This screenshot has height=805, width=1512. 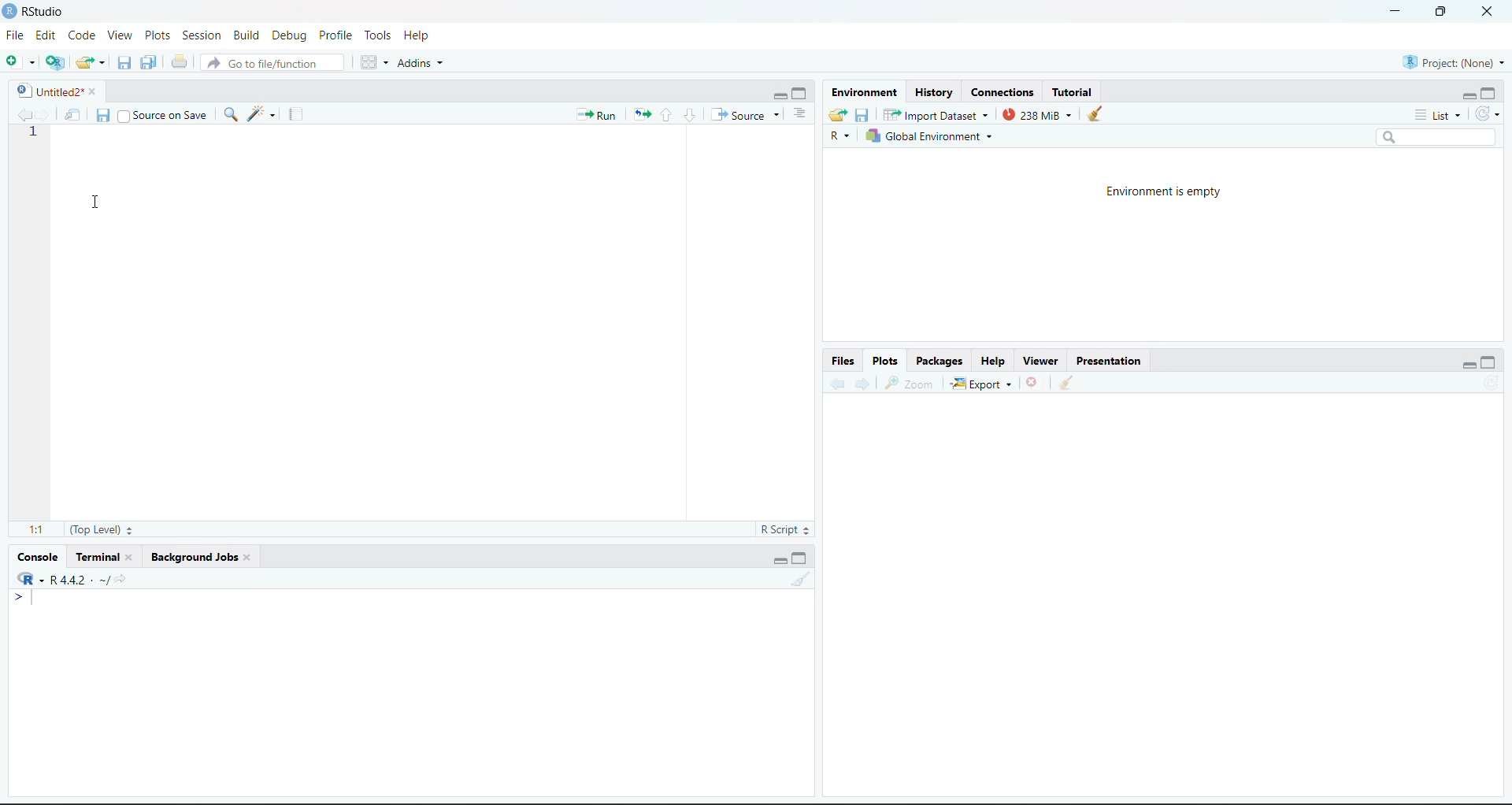 What do you see at coordinates (96, 202) in the screenshot?
I see `cursor` at bounding box center [96, 202].